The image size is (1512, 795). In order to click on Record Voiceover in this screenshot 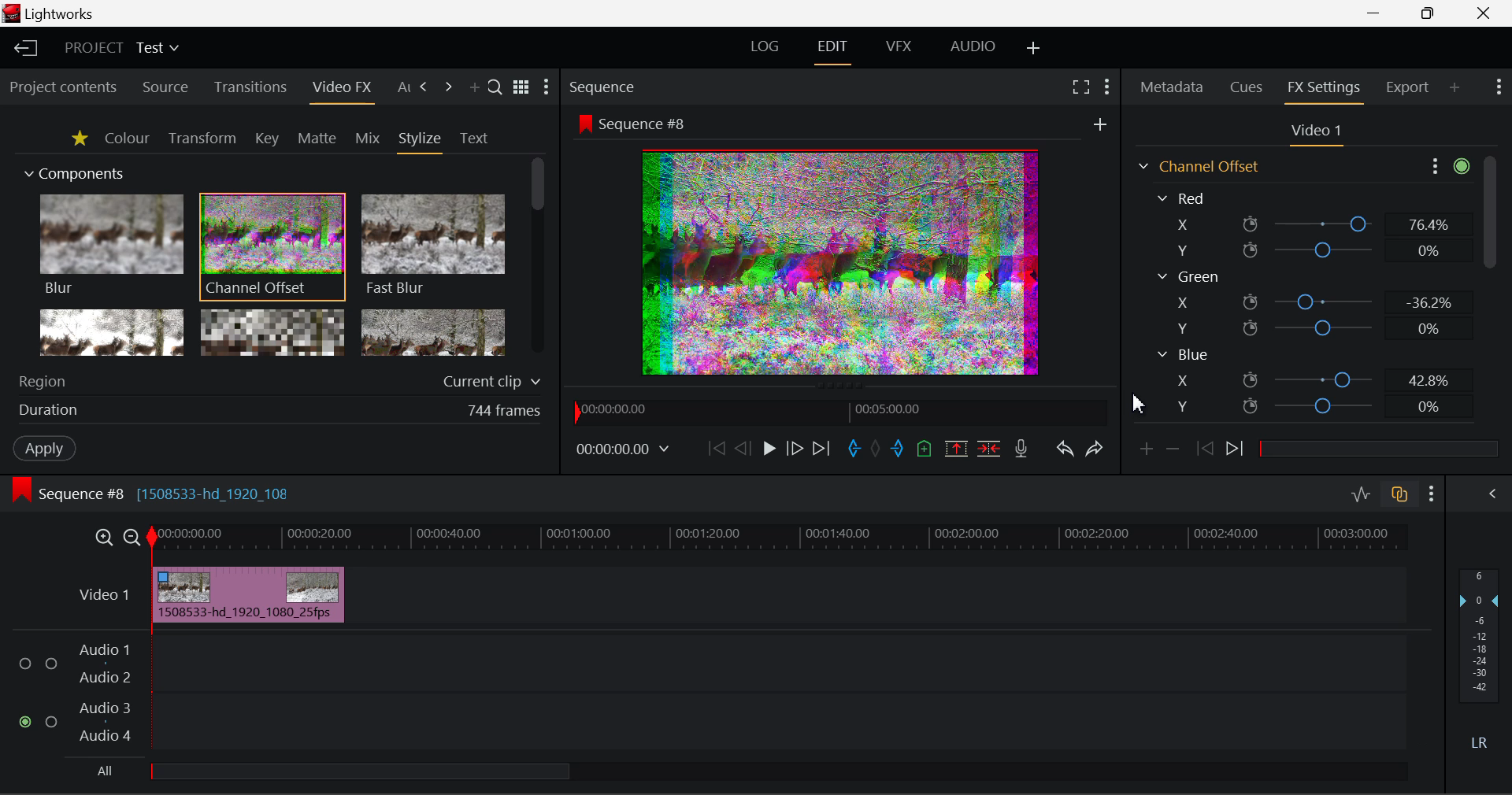, I will do `click(1021, 450)`.